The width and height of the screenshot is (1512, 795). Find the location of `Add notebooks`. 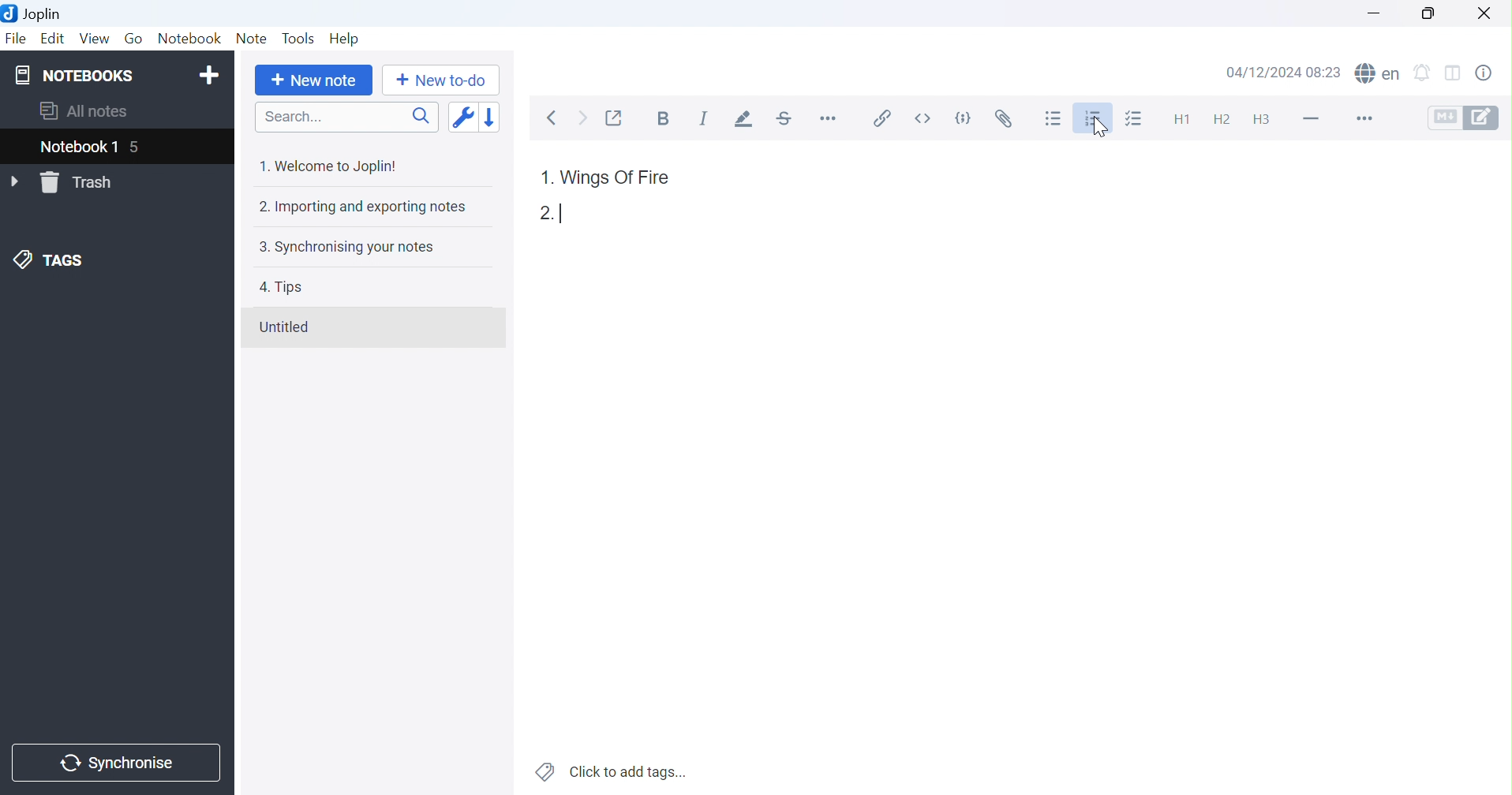

Add notebooks is located at coordinates (212, 73).